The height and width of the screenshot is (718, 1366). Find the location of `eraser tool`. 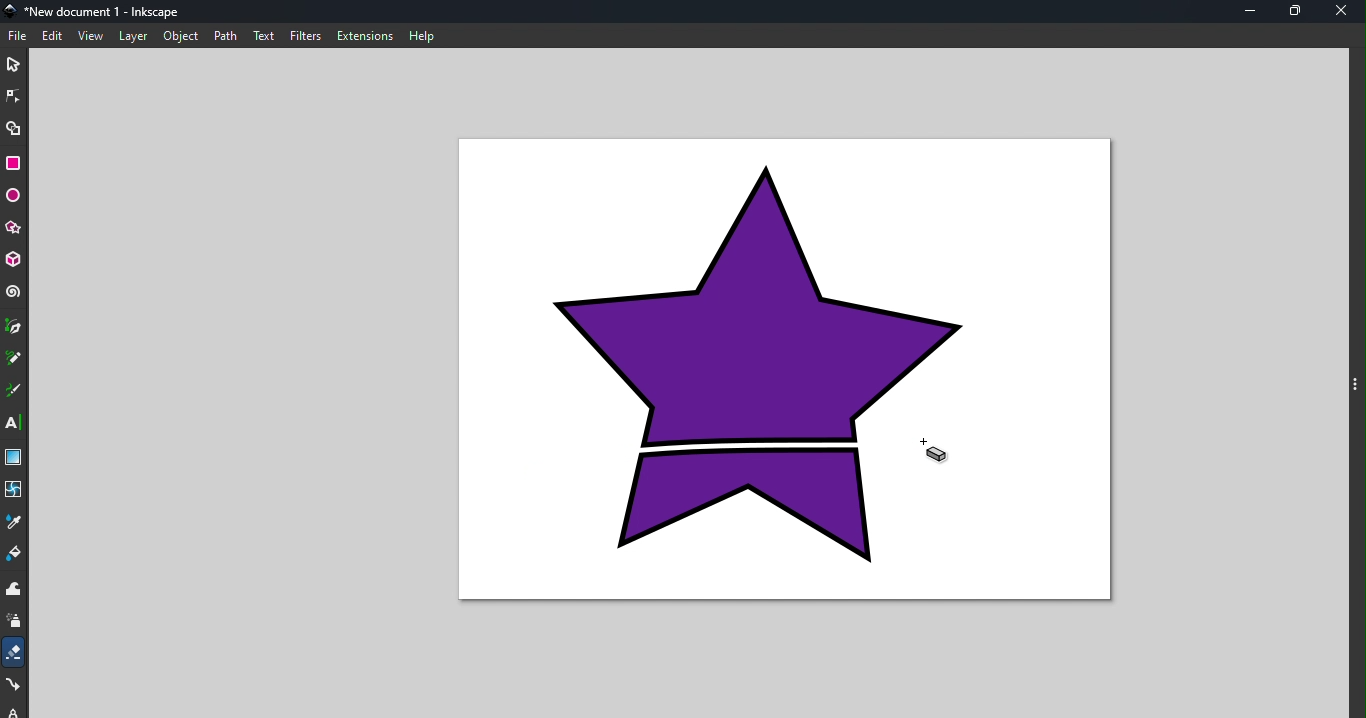

eraser tool is located at coordinates (15, 652).